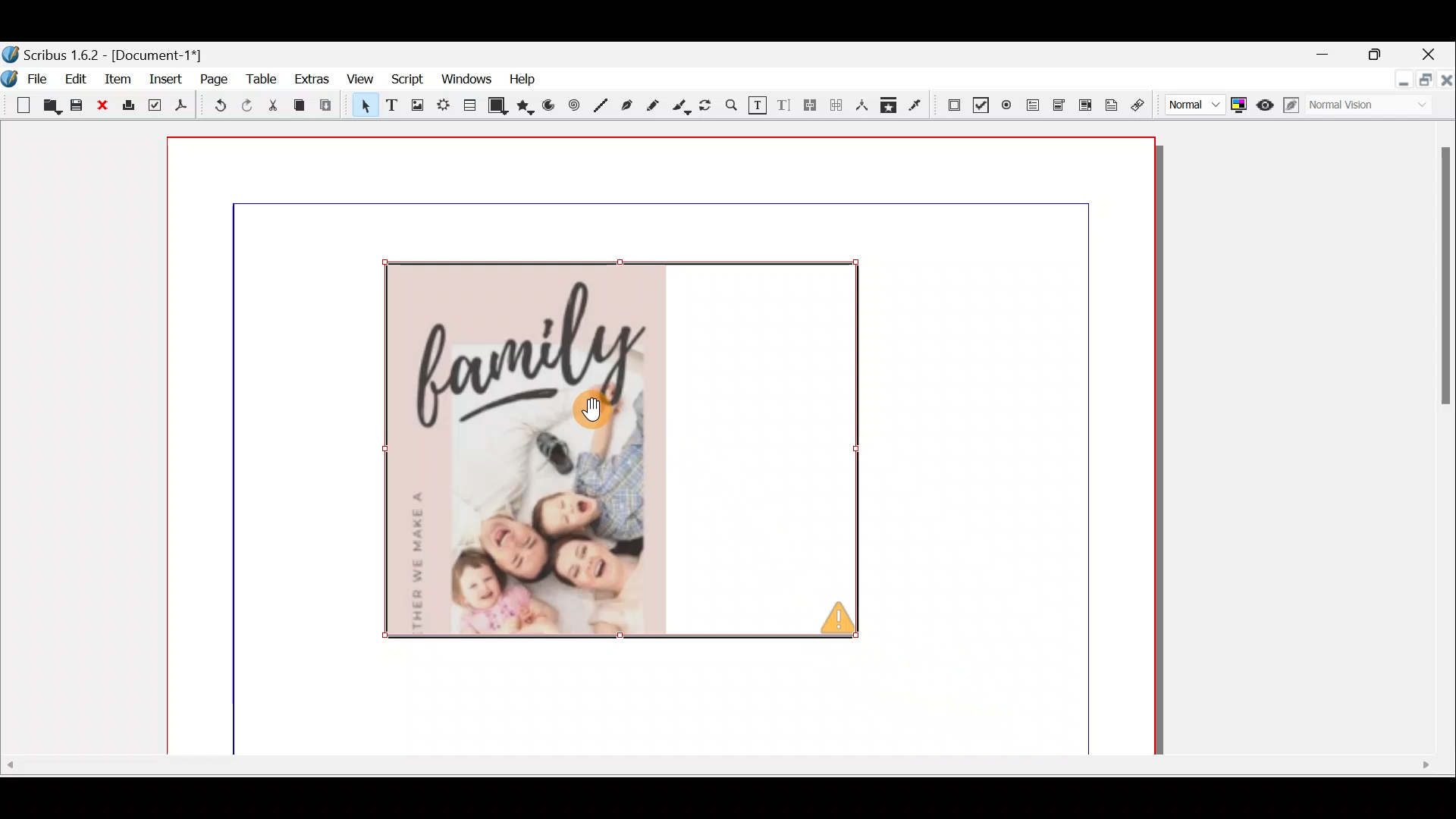 The height and width of the screenshot is (819, 1456). Describe the element at coordinates (756, 104) in the screenshot. I see `Edit contents of frame` at that location.